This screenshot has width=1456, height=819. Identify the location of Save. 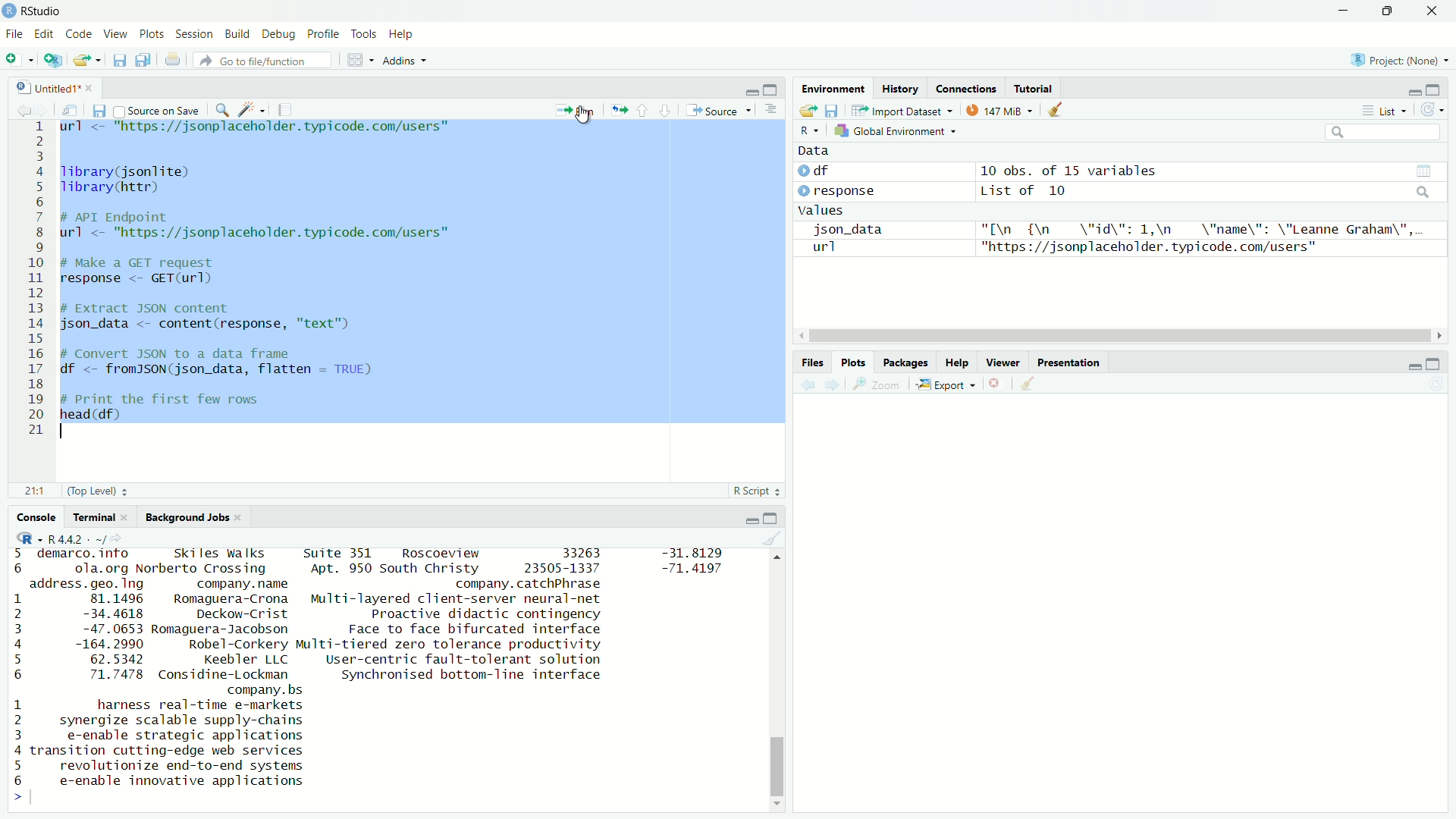
(831, 111).